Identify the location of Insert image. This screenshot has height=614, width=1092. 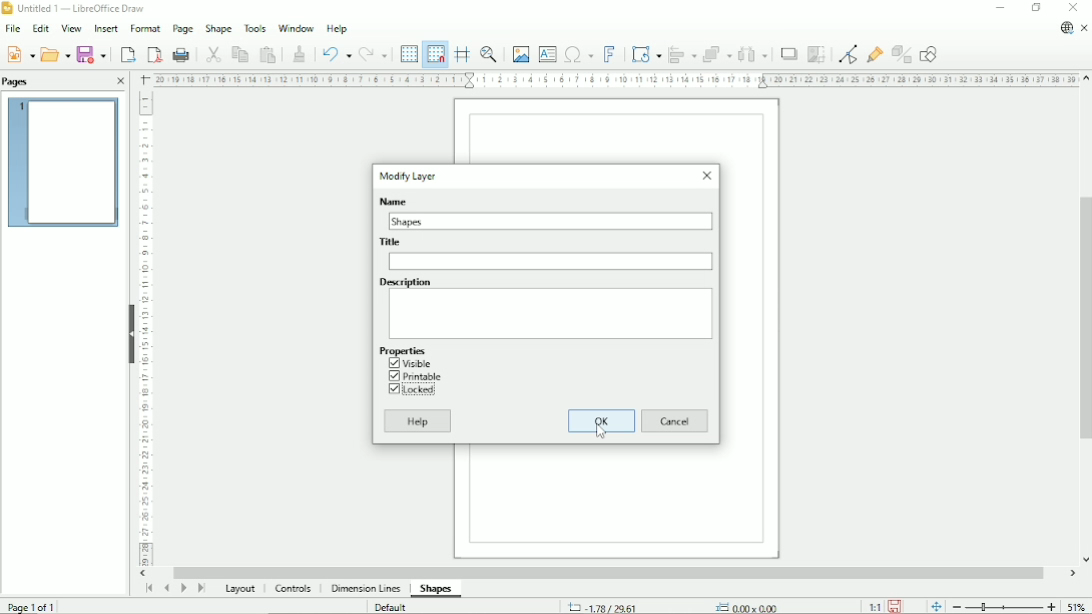
(520, 52).